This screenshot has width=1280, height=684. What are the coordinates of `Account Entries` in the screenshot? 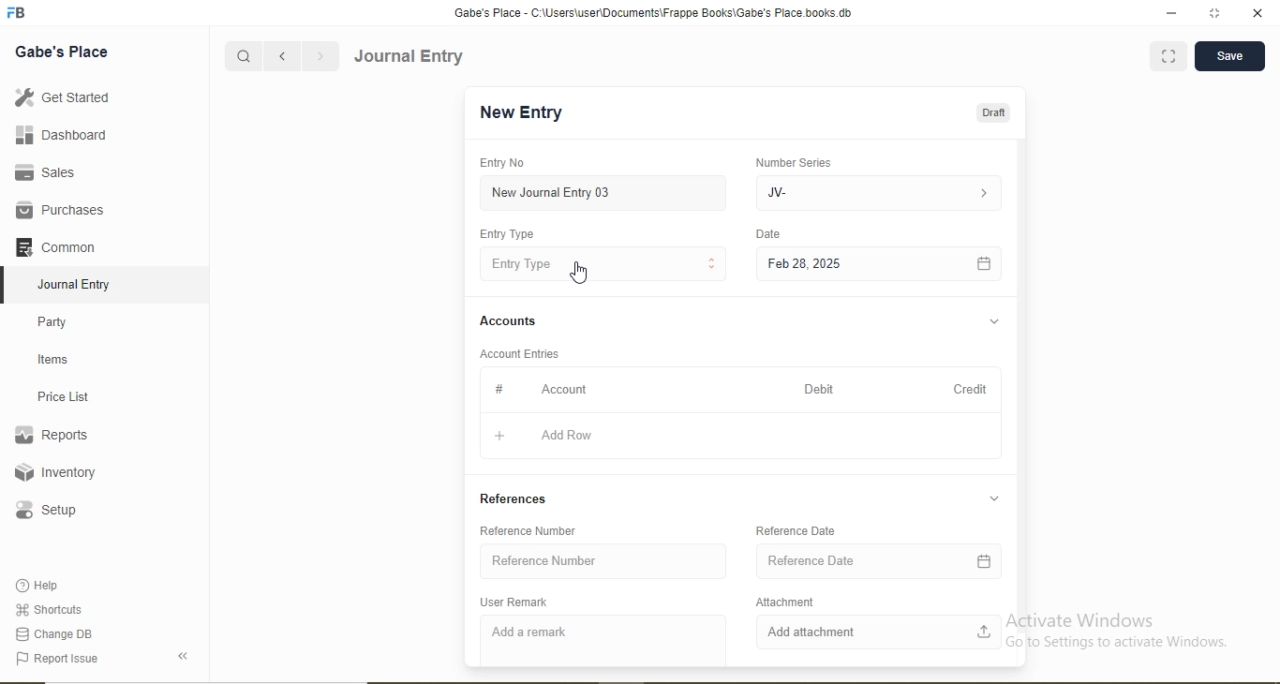 It's located at (518, 354).